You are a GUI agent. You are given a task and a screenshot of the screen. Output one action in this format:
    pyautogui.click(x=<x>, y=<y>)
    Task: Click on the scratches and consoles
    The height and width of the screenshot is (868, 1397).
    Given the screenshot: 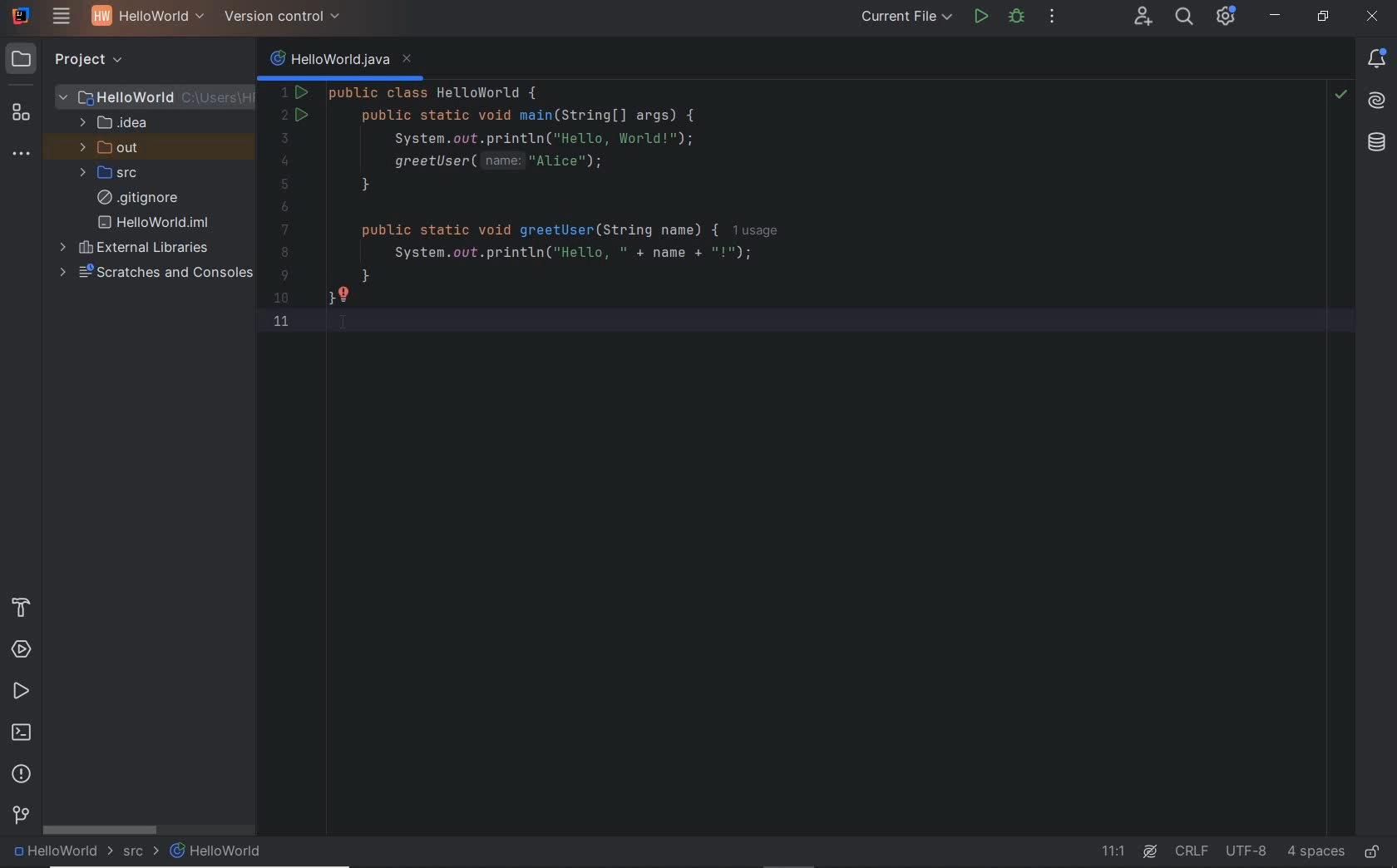 What is the action you would take?
    pyautogui.click(x=155, y=274)
    